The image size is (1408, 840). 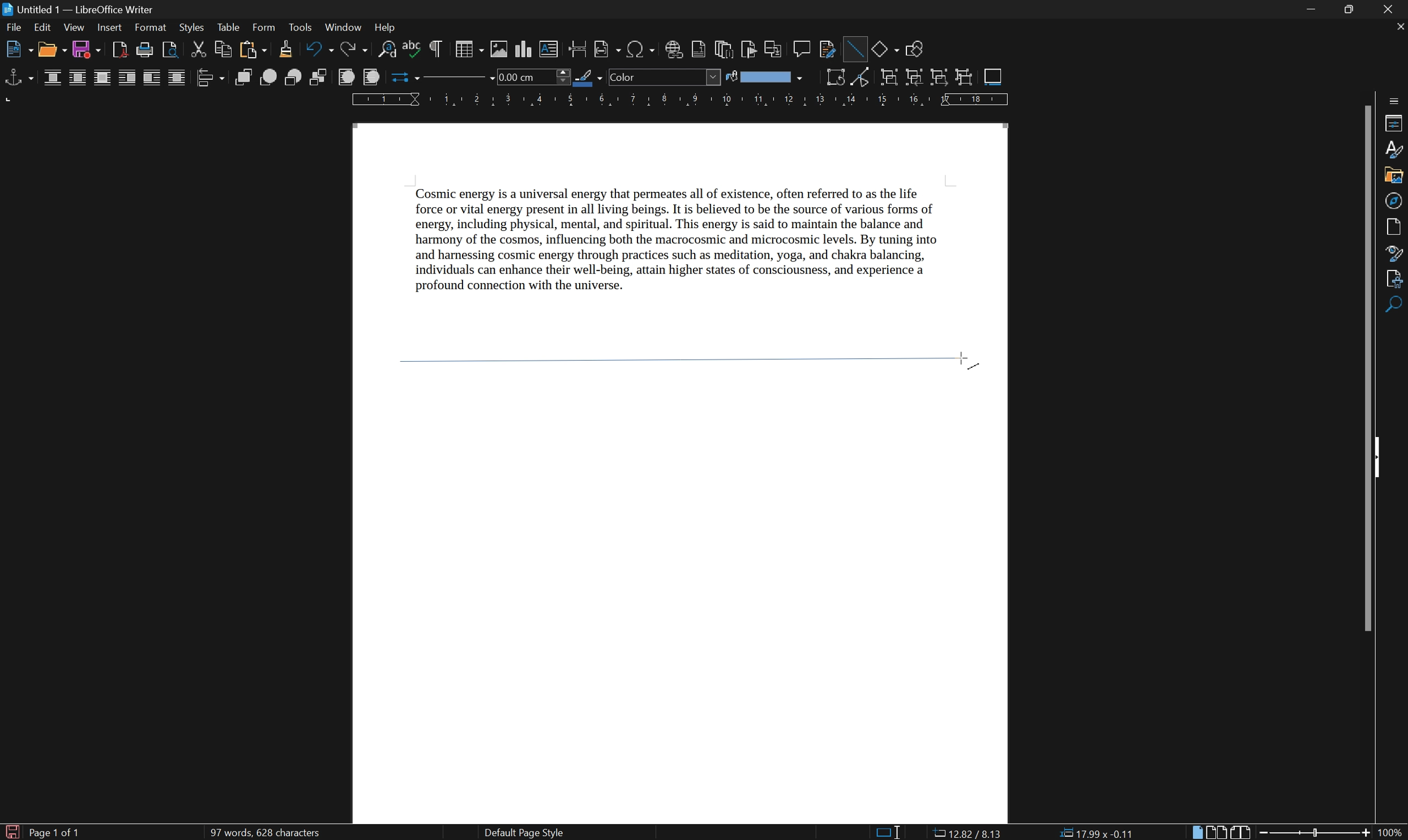 What do you see at coordinates (1391, 833) in the screenshot?
I see `100%` at bounding box center [1391, 833].